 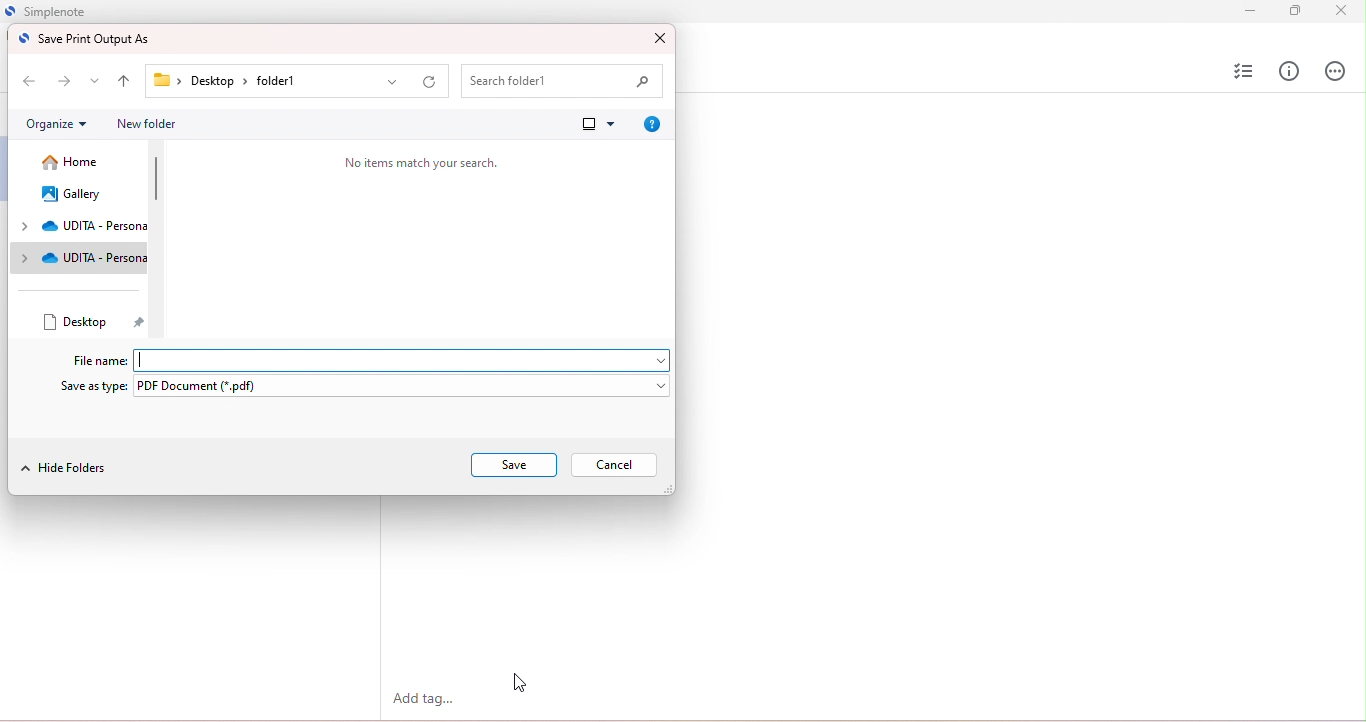 I want to click on info, so click(x=1290, y=71).